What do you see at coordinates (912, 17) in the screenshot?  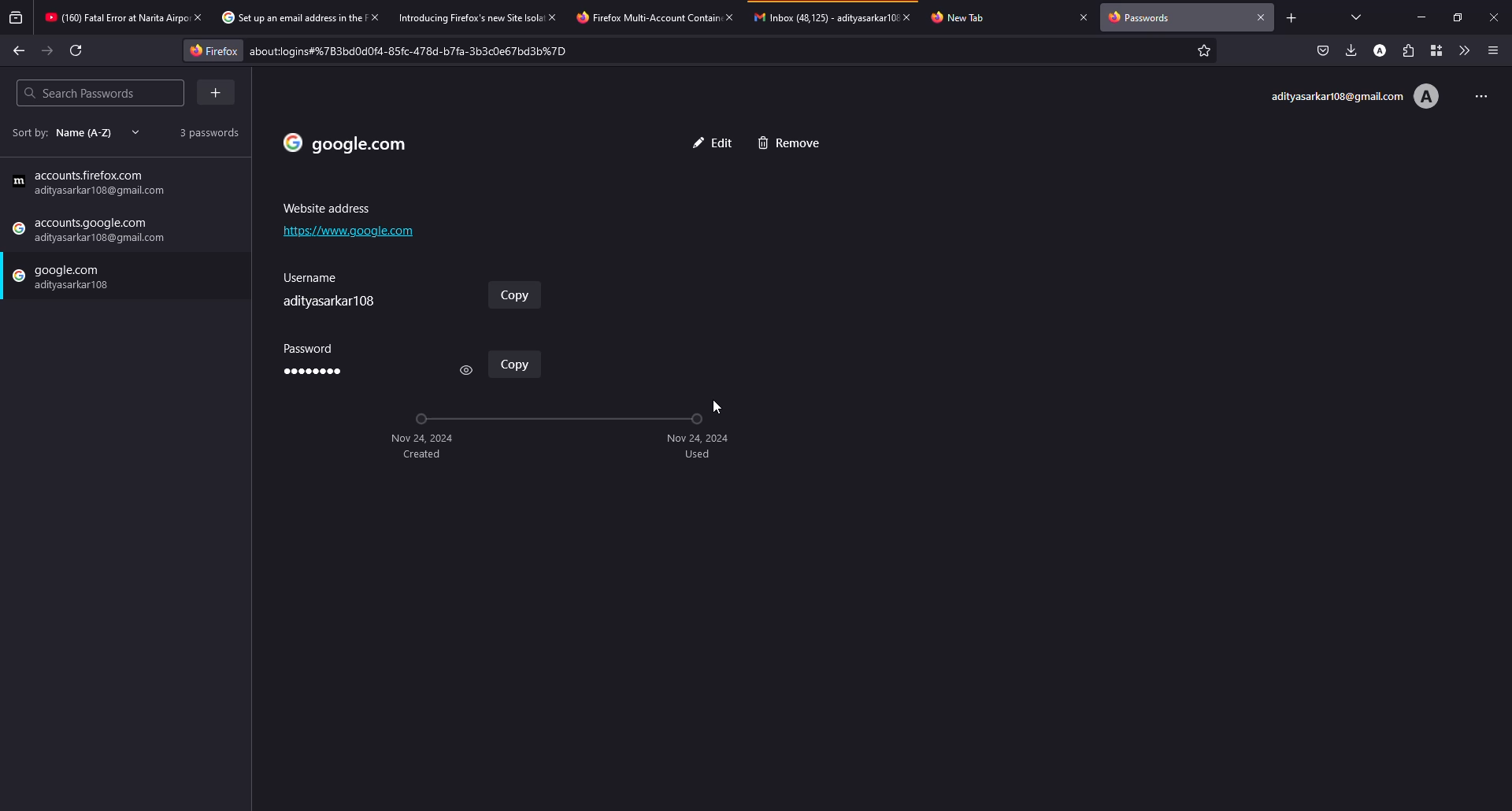 I see `close` at bounding box center [912, 17].